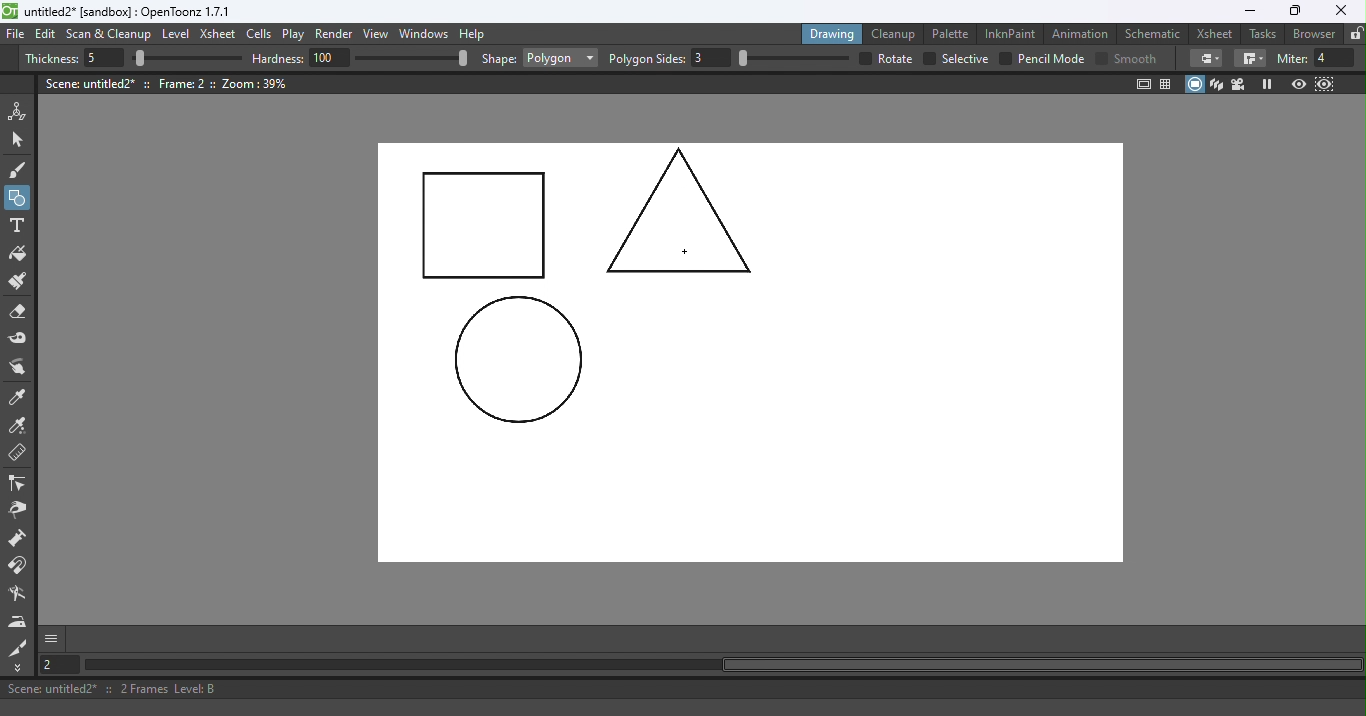  Describe the element at coordinates (21, 427) in the screenshot. I see `RGB picker tool` at that location.